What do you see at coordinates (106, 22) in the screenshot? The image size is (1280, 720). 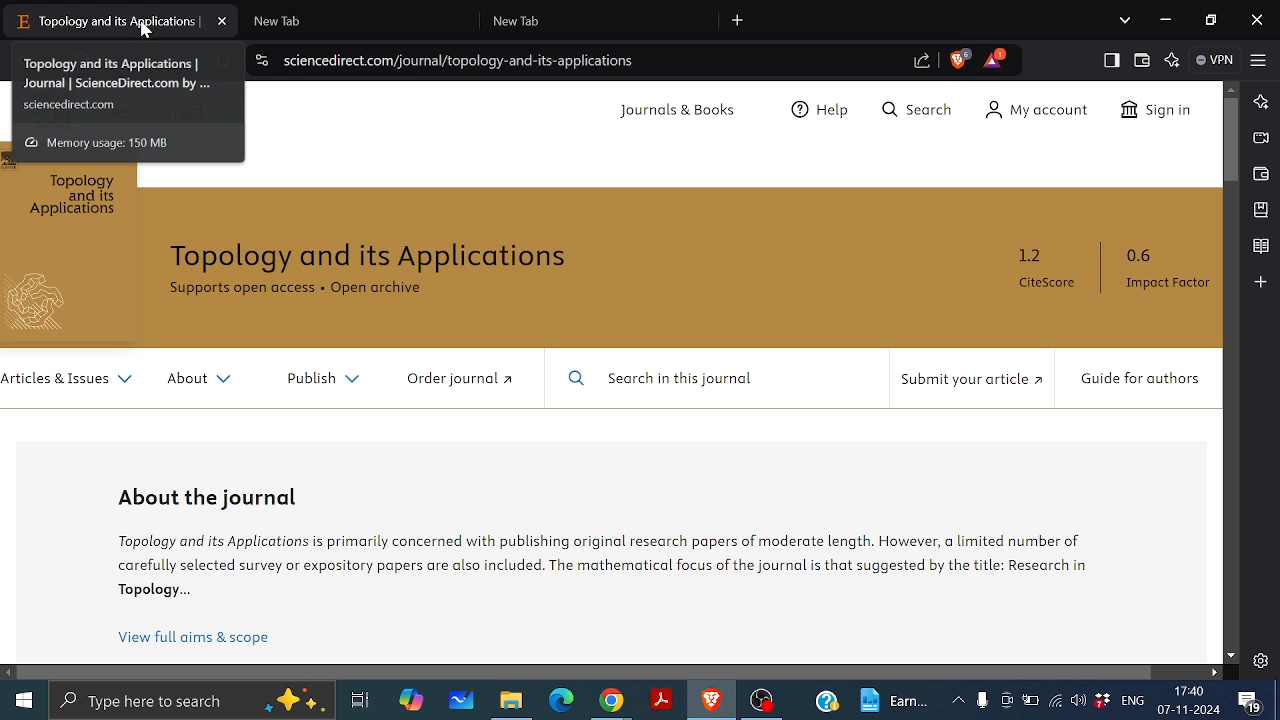 I see `Current Tab` at bounding box center [106, 22].